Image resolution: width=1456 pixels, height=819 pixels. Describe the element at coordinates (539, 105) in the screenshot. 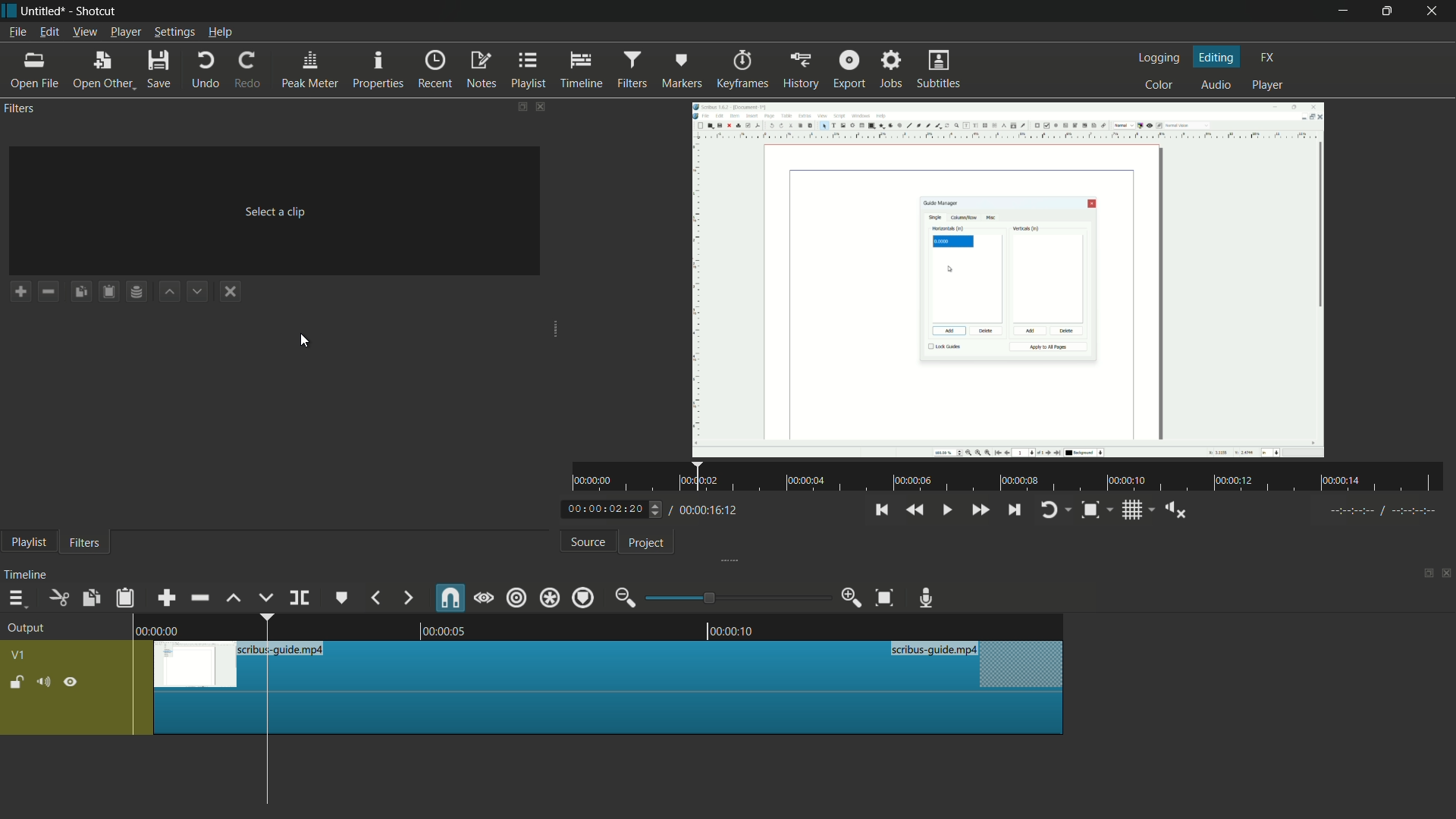

I see `close filters` at that location.